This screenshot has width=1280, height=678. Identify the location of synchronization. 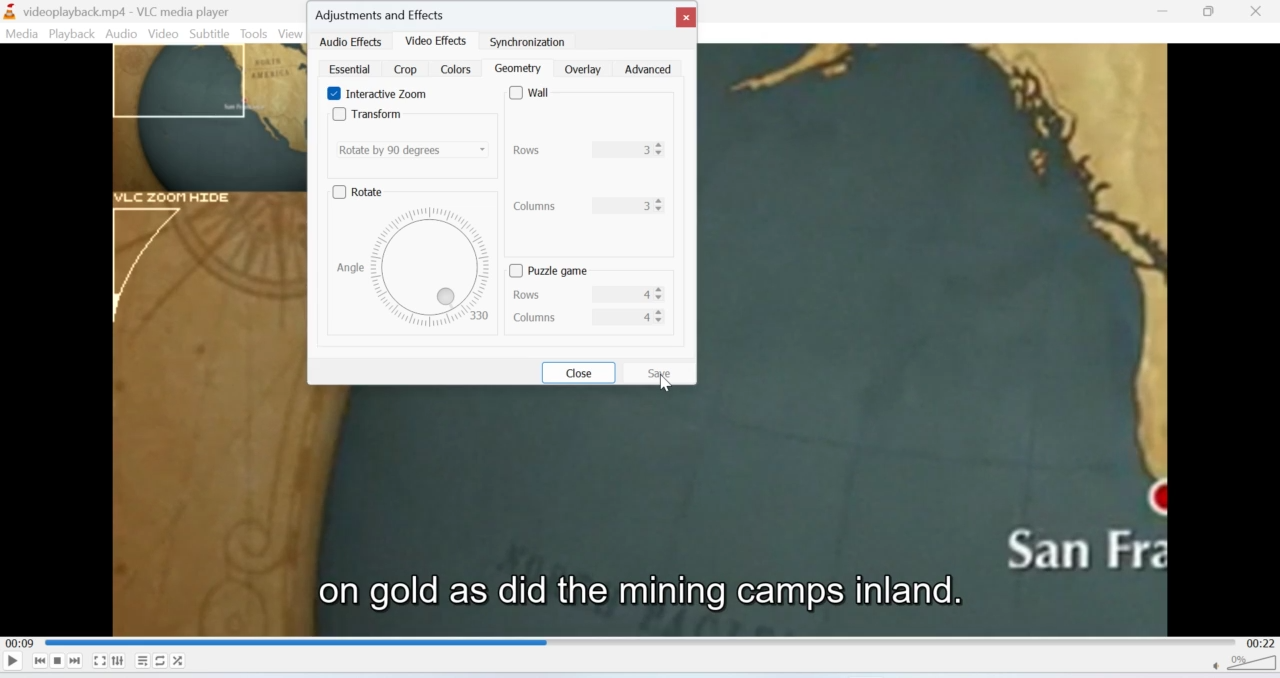
(528, 42).